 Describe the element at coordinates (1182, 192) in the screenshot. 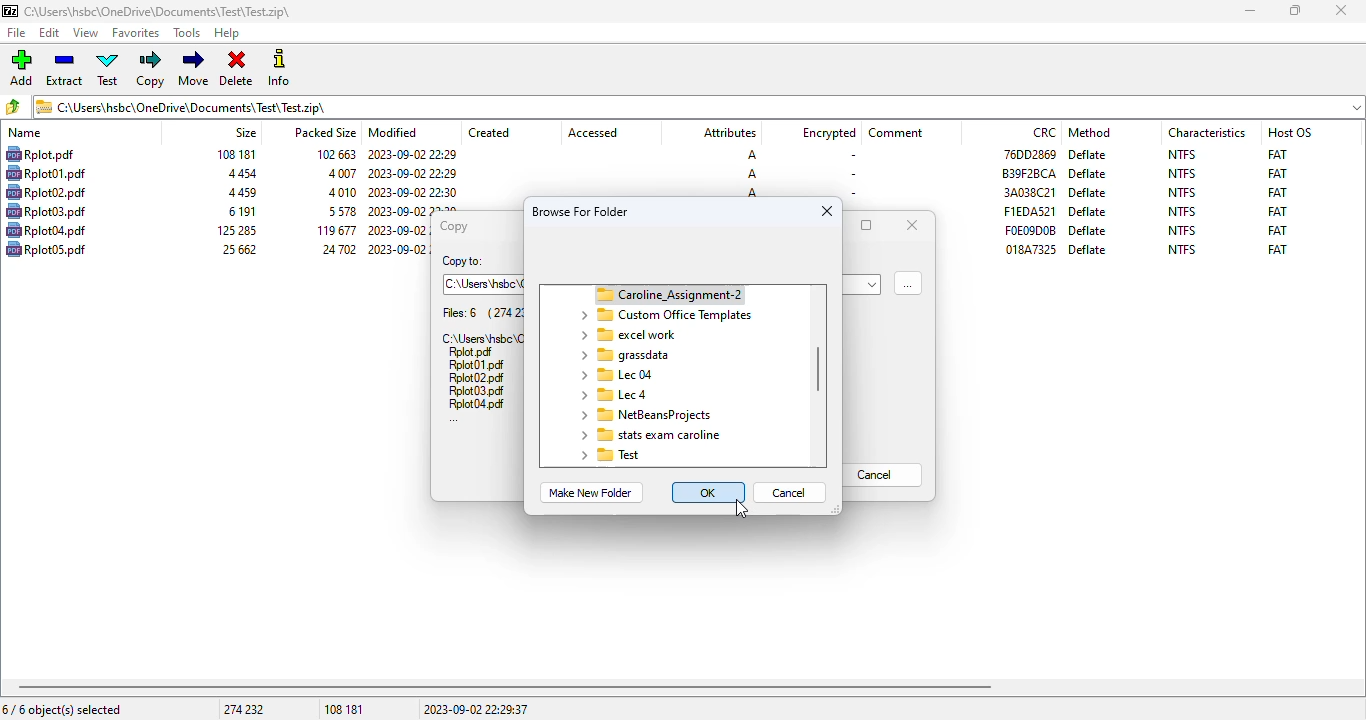

I see `NTFS` at that location.